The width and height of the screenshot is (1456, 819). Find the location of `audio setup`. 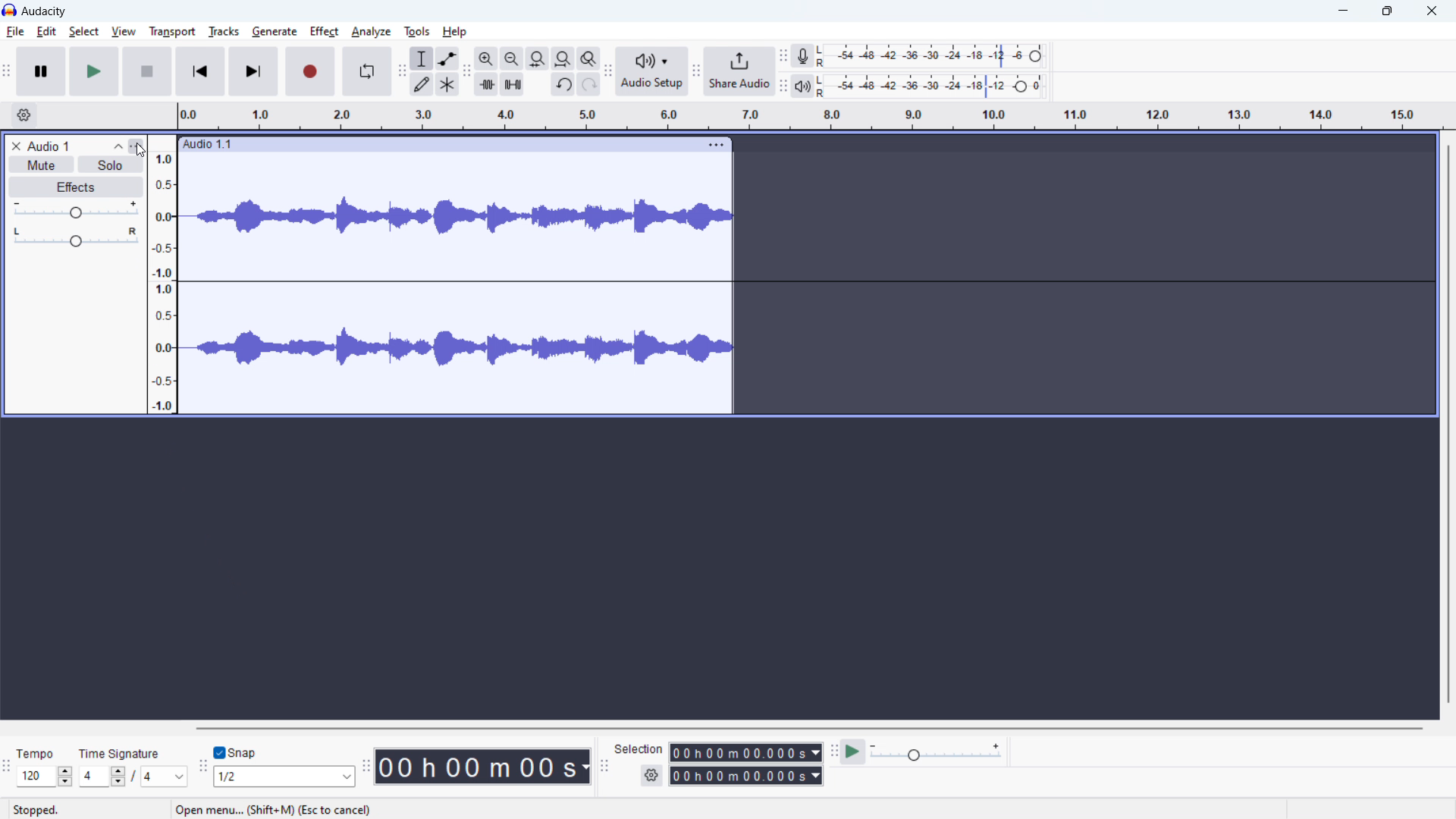

audio setup is located at coordinates (651, 72).